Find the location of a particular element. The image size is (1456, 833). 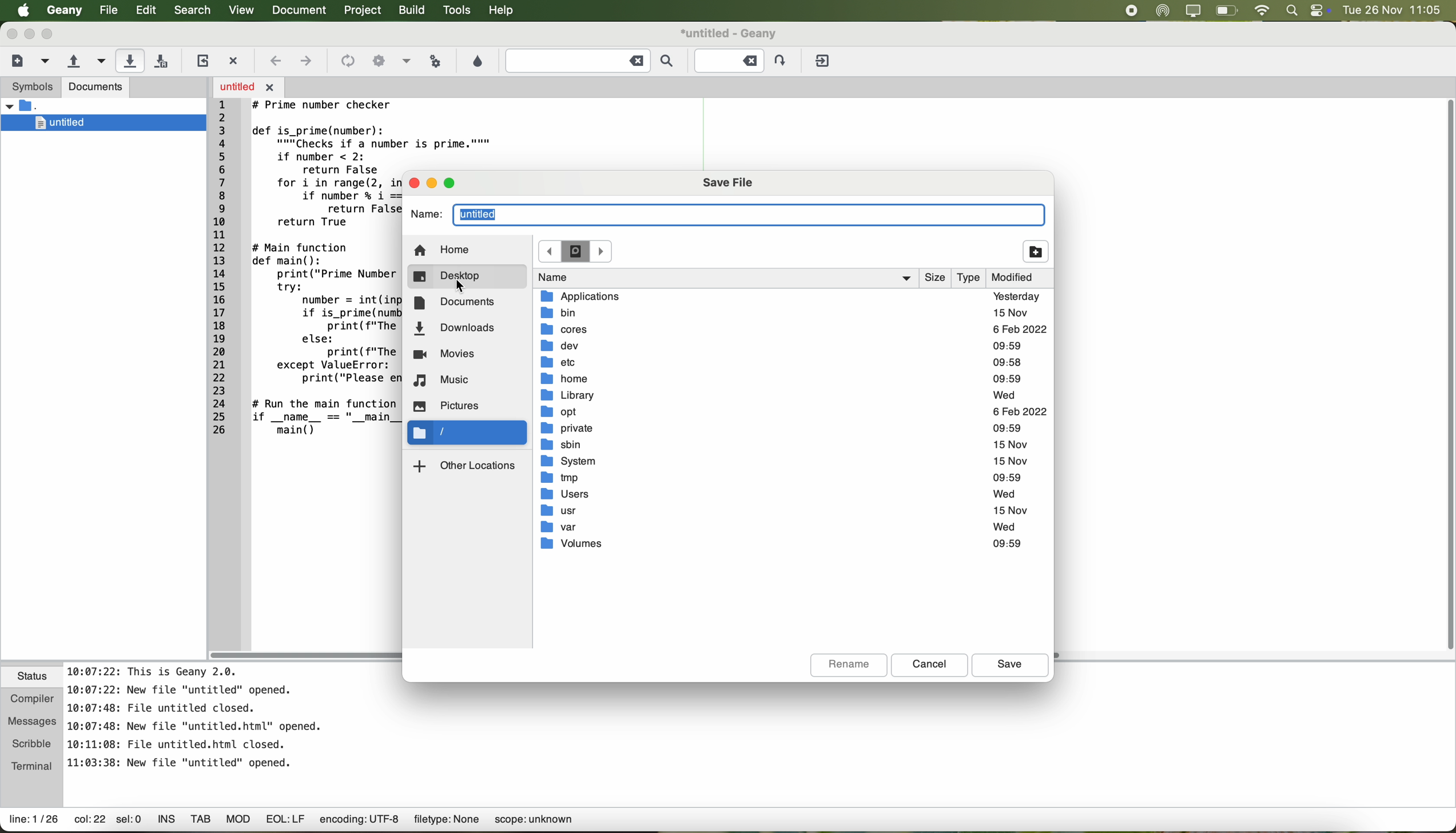

data is located at coordinates (293, 822).